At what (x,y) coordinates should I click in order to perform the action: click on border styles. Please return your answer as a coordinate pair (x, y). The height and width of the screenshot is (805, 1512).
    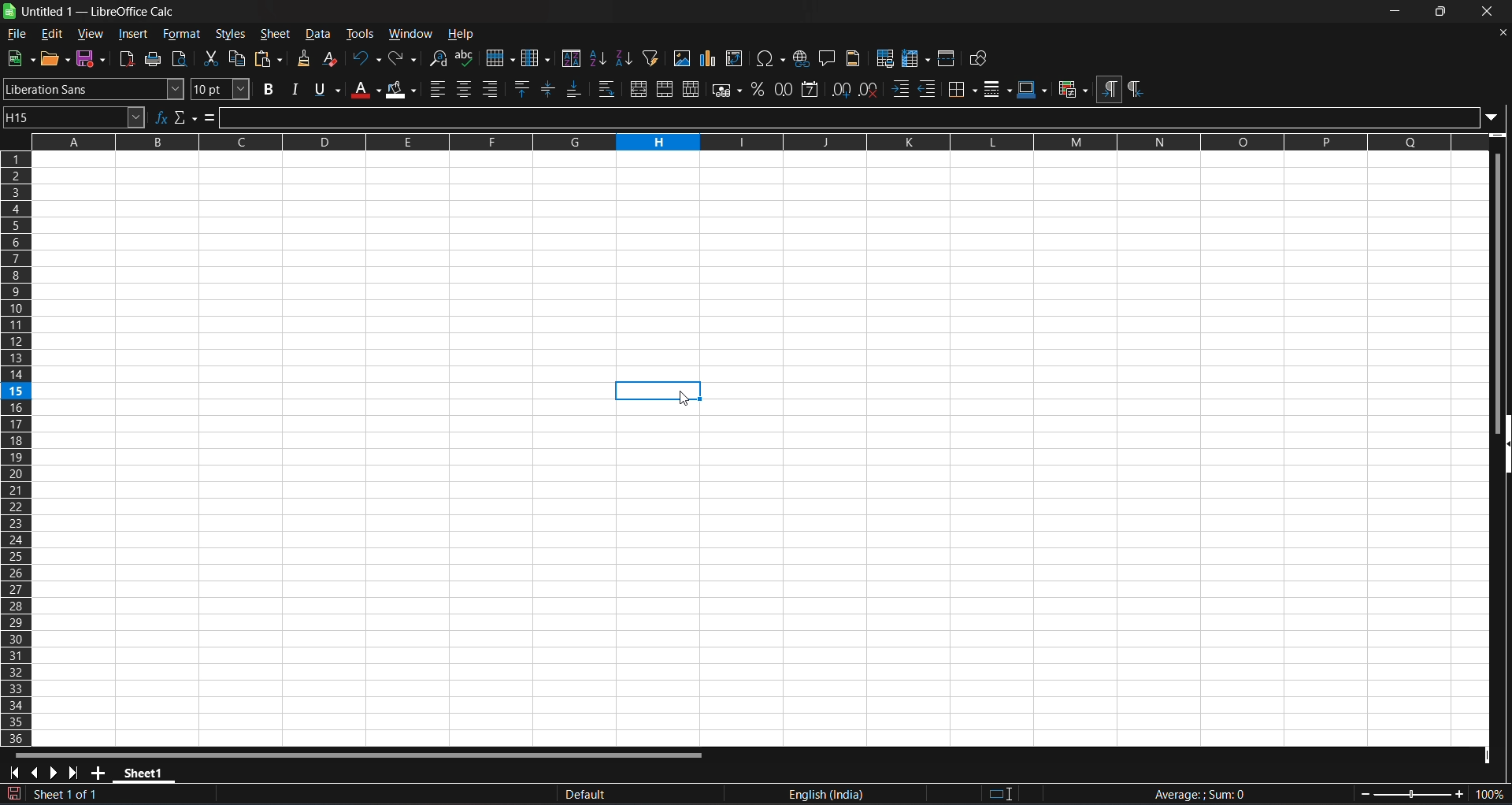
    Looking at the image, I should click on (996, 89).